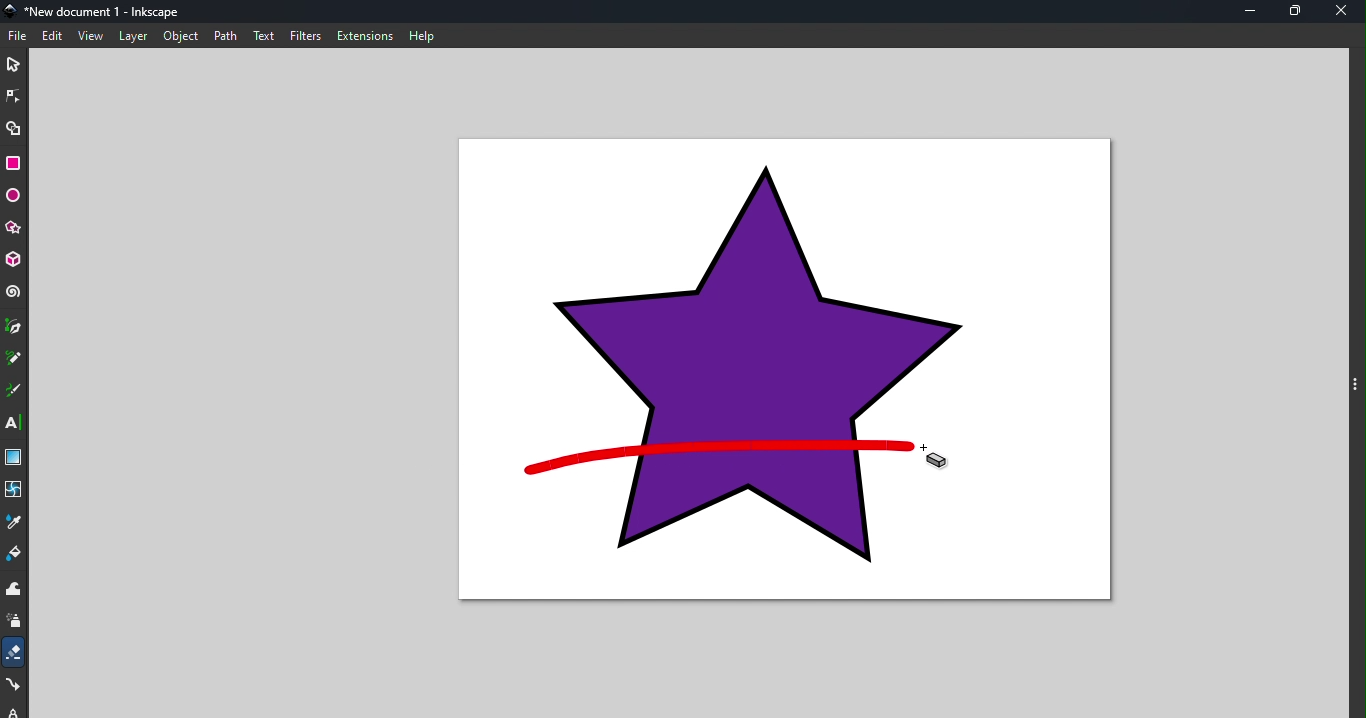  Describe the element at coordinates (14, 391) in the screenshot. I see `calligraphy tool` at that location.